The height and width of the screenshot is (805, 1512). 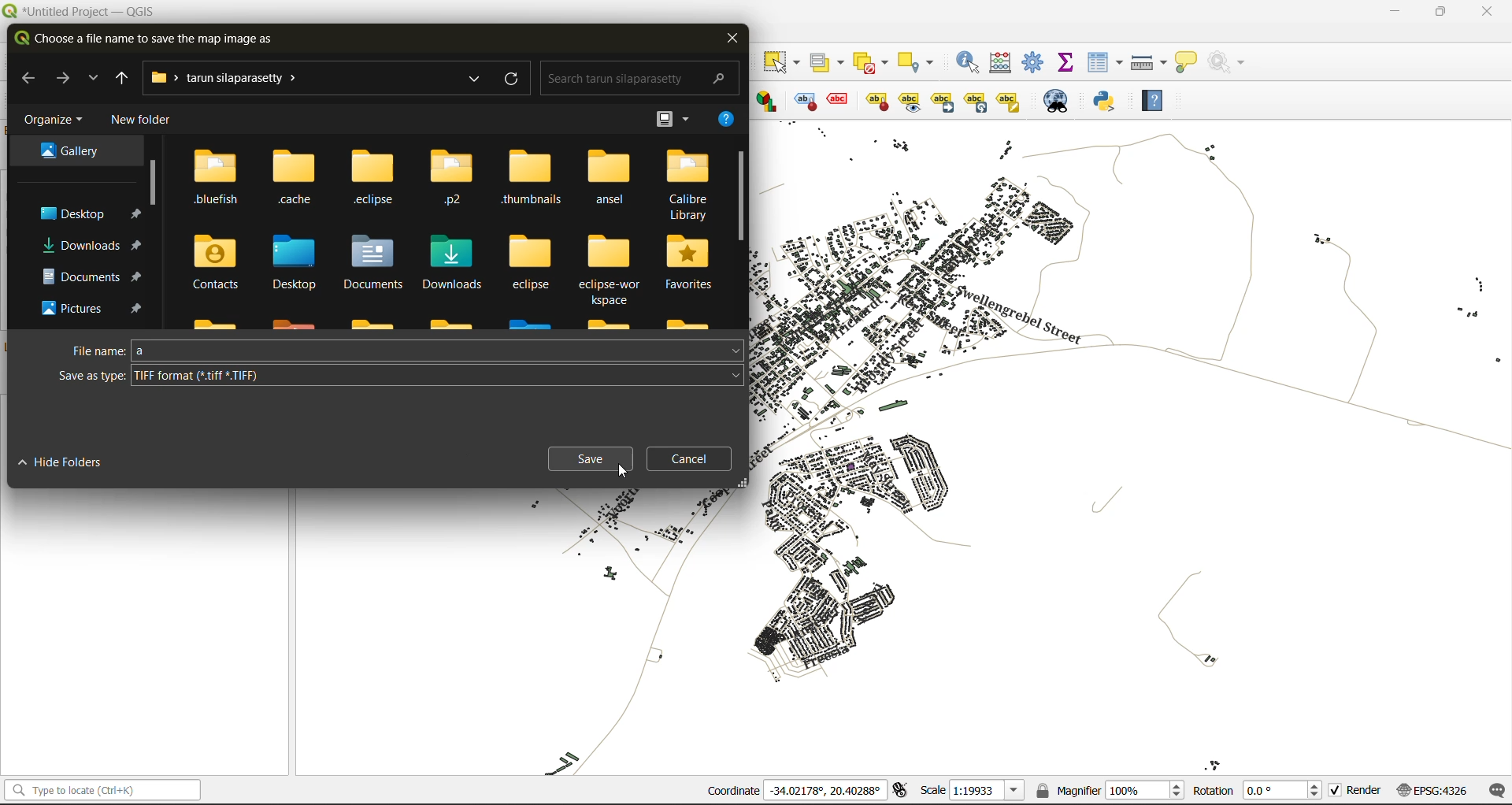 What do you see at coordinates (1441, 12) in the screenshot?
I see `maximize` at bounding box center [1441, 12].